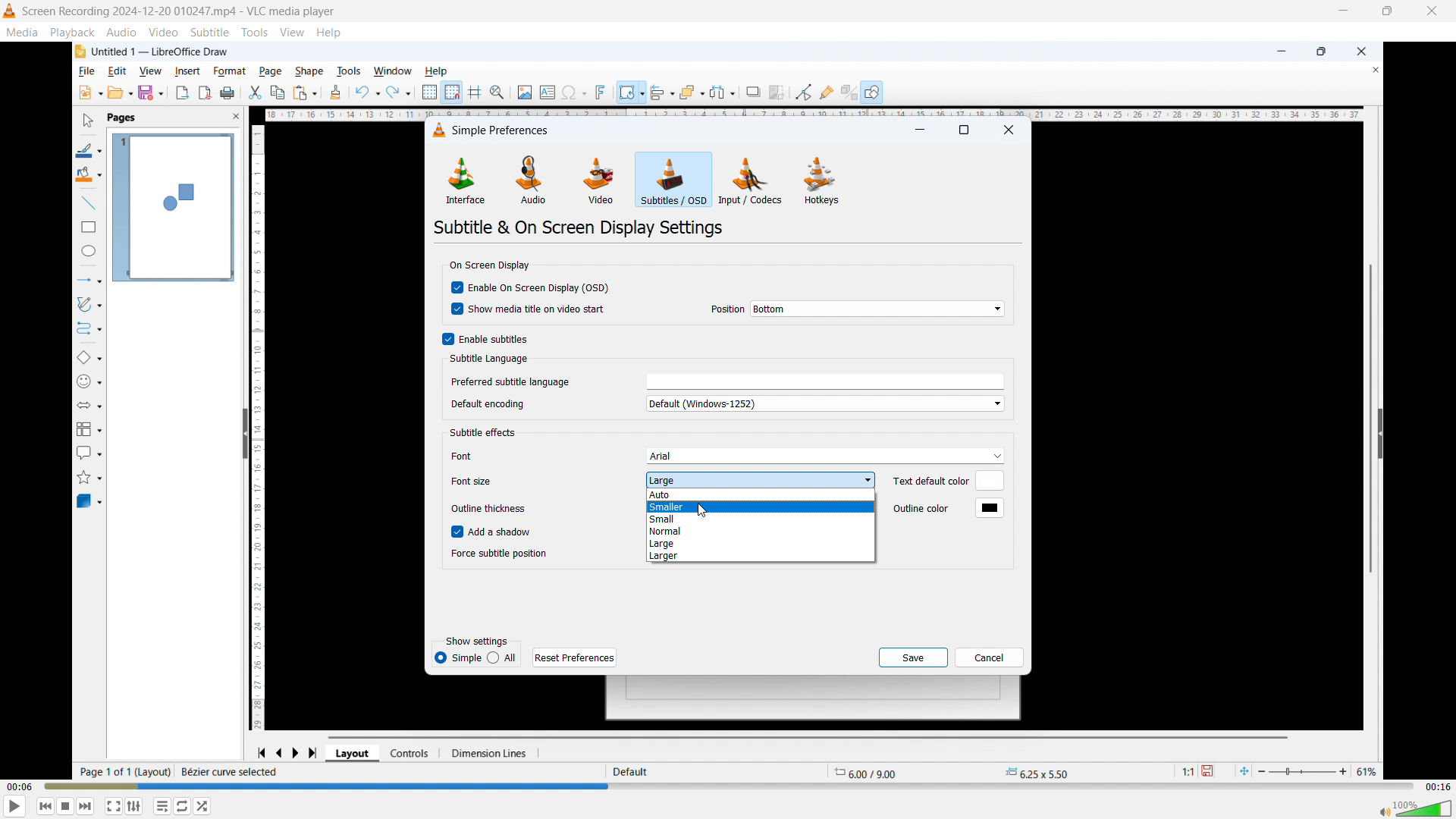  What do you see at coordinates (530, 309) in the screenshot?
I see `show media title and video start ` at bounding box center [530, 309].